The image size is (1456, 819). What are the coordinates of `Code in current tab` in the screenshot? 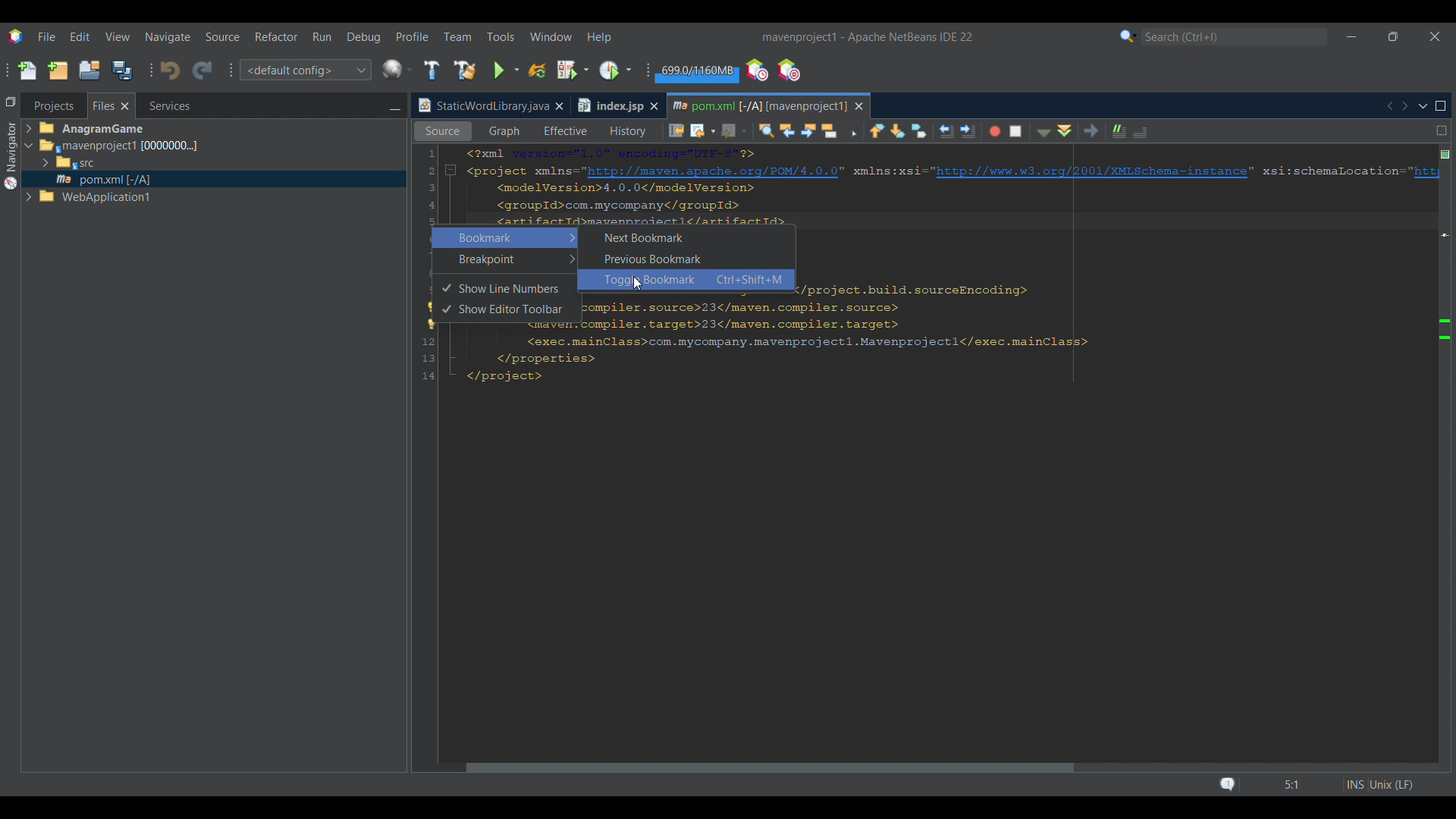 It's located at (927, 268).